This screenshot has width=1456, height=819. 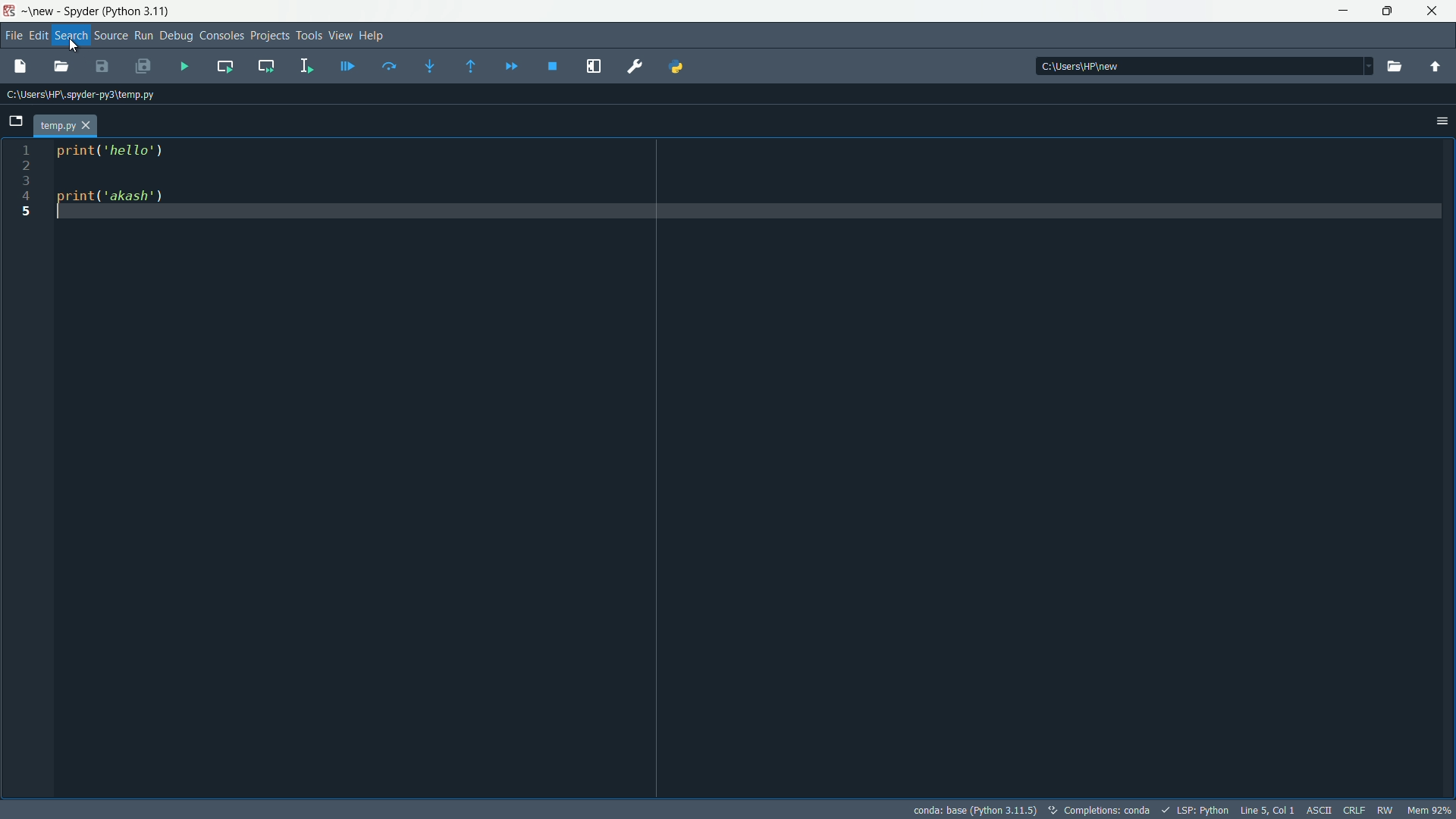 I want to click on run current cell, so click(x=223, y=66).